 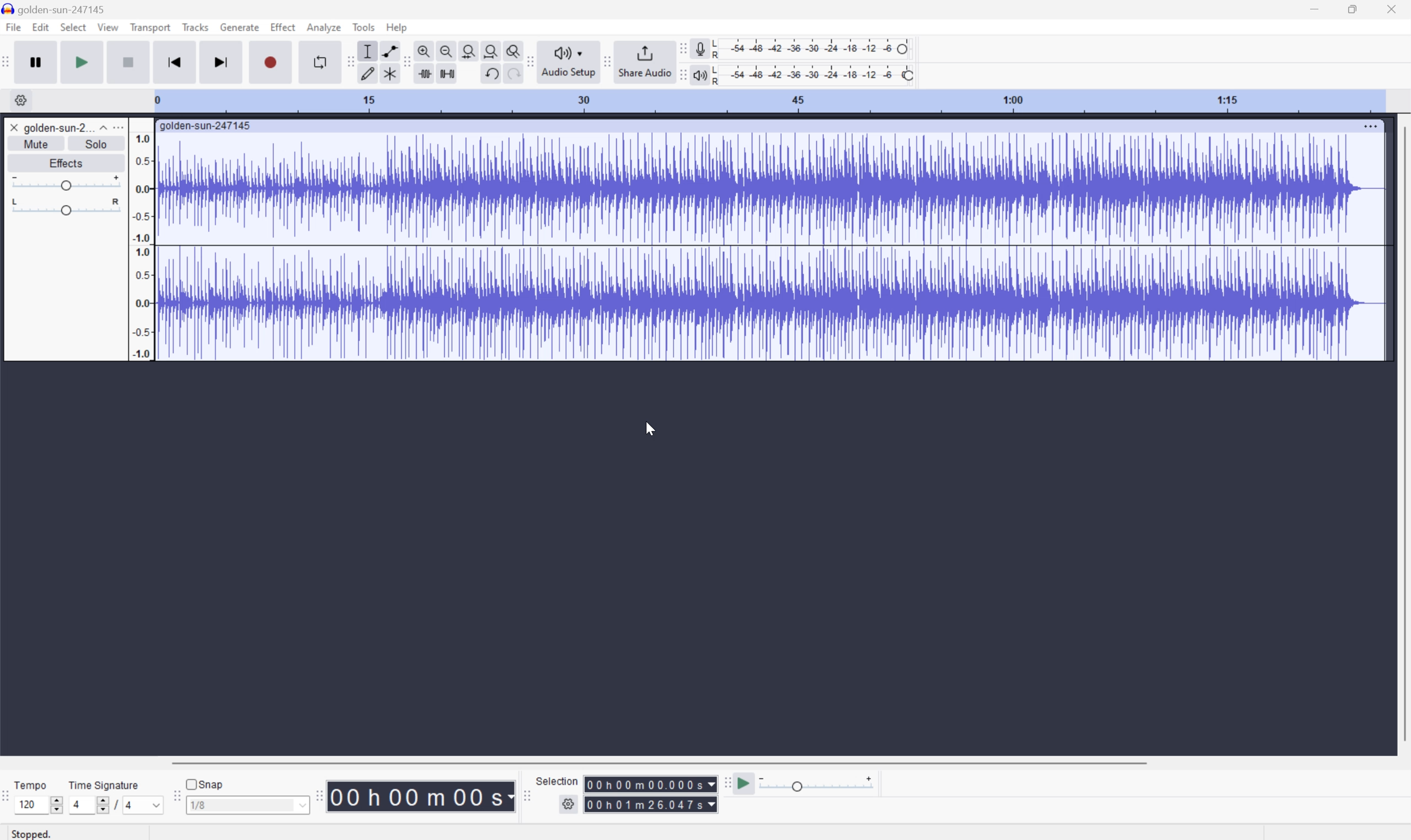 What do you see at coordinates (813, 49) in the screenshot?
I see `Recording level: 62%` at bounding box center [813, 49].